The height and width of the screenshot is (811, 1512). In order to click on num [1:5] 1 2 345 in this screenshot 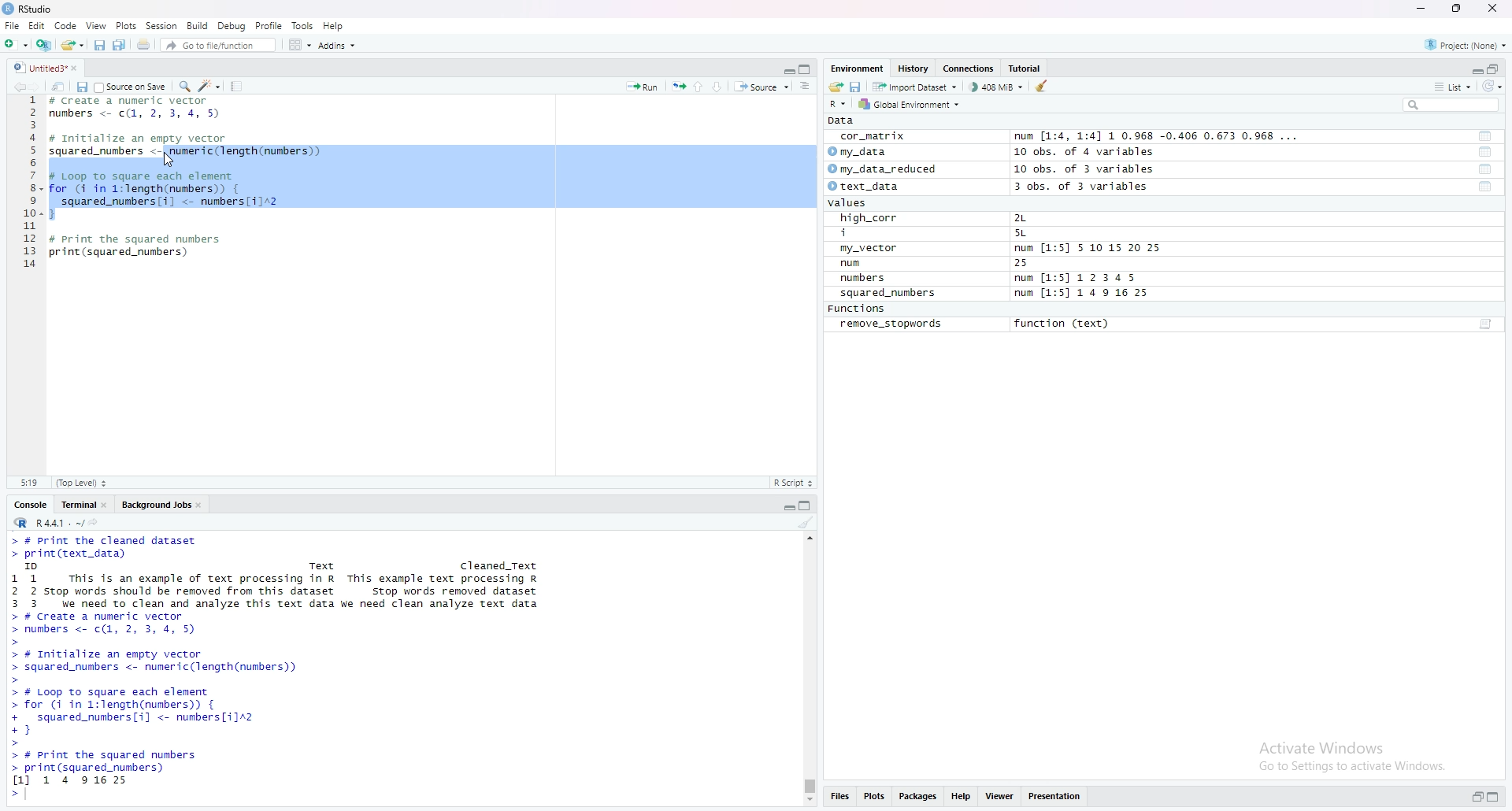, I will do `click(1080, 279)`.